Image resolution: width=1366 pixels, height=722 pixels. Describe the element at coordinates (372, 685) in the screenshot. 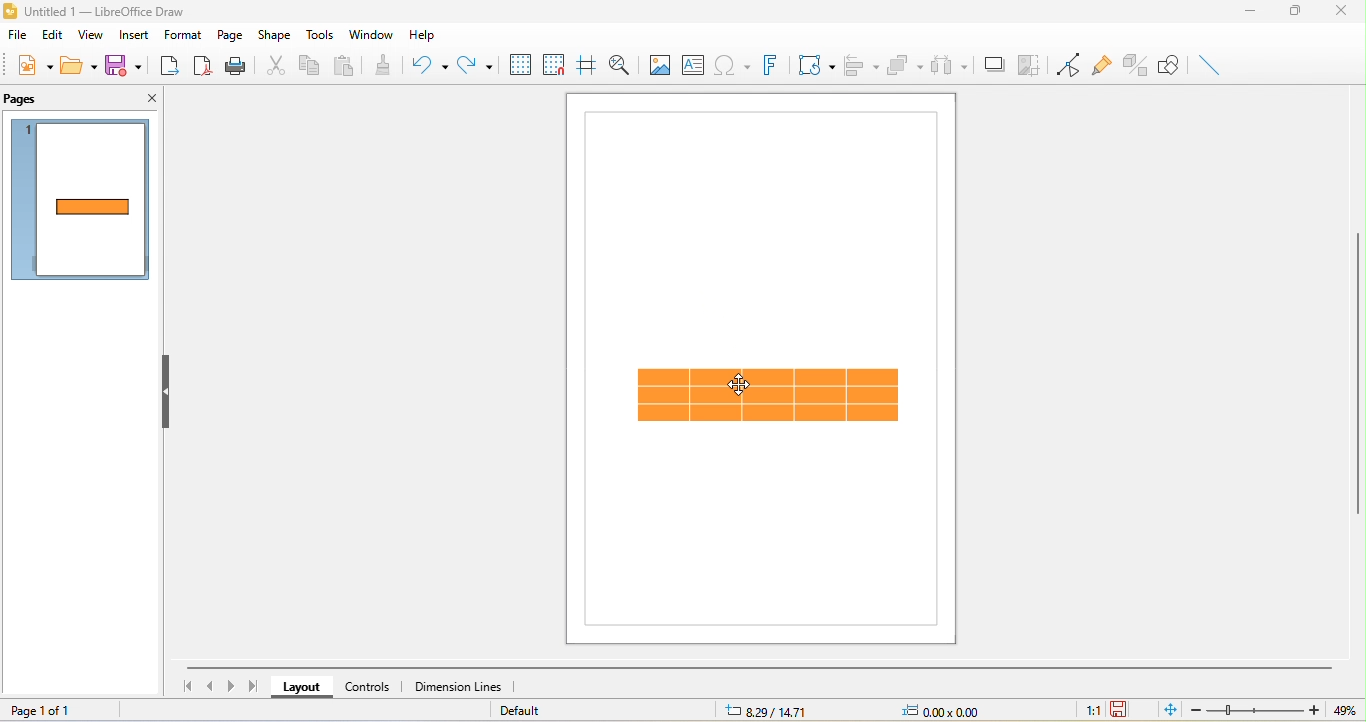

I see `controls` at that location.